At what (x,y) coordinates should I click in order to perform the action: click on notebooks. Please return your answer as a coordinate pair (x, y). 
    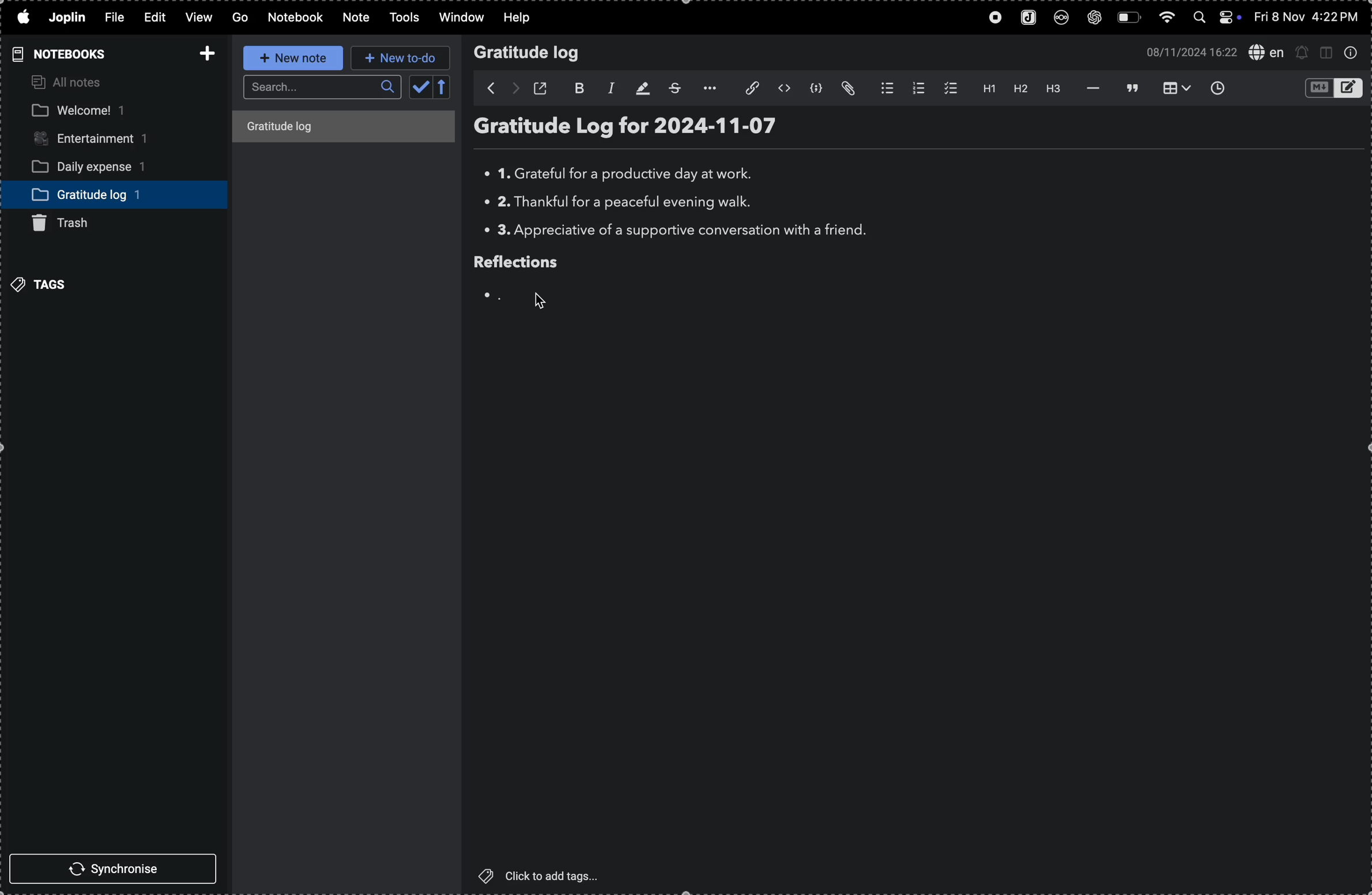
    Looking at the image, I should click on (67, 54).